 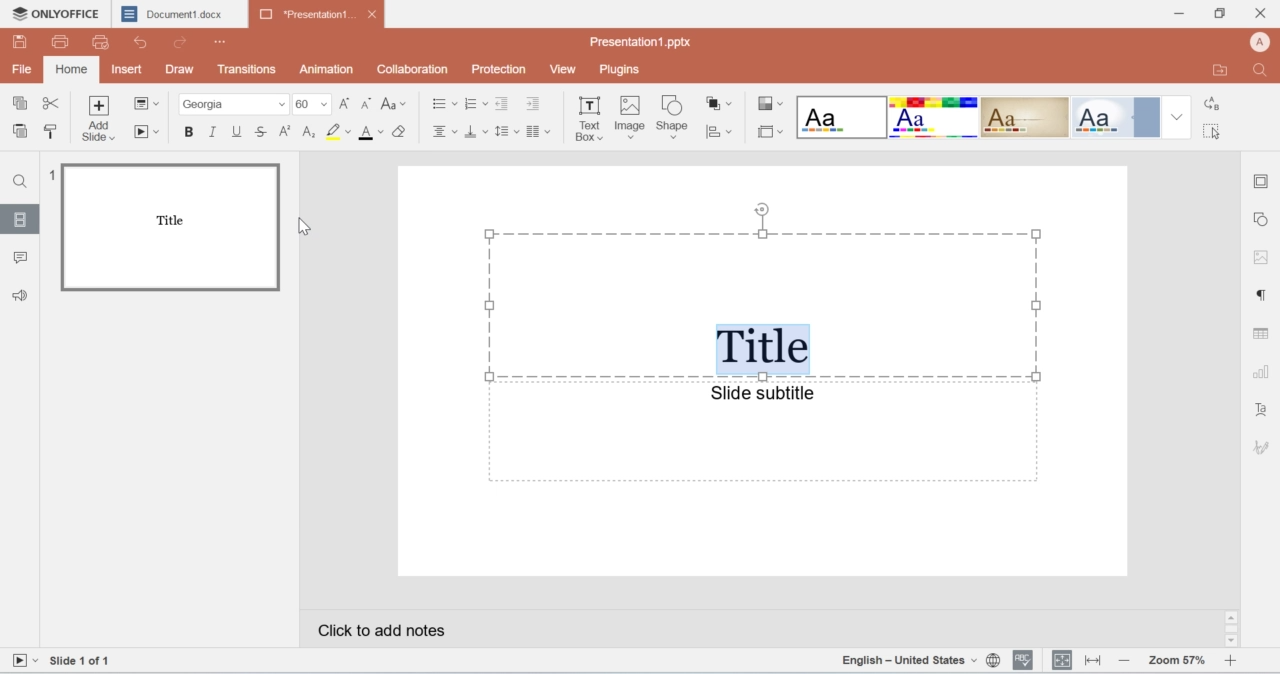 What do you see at coordinates (721, 105) in the screenshot?
I see `shapes` at bounding box center [721, 105].